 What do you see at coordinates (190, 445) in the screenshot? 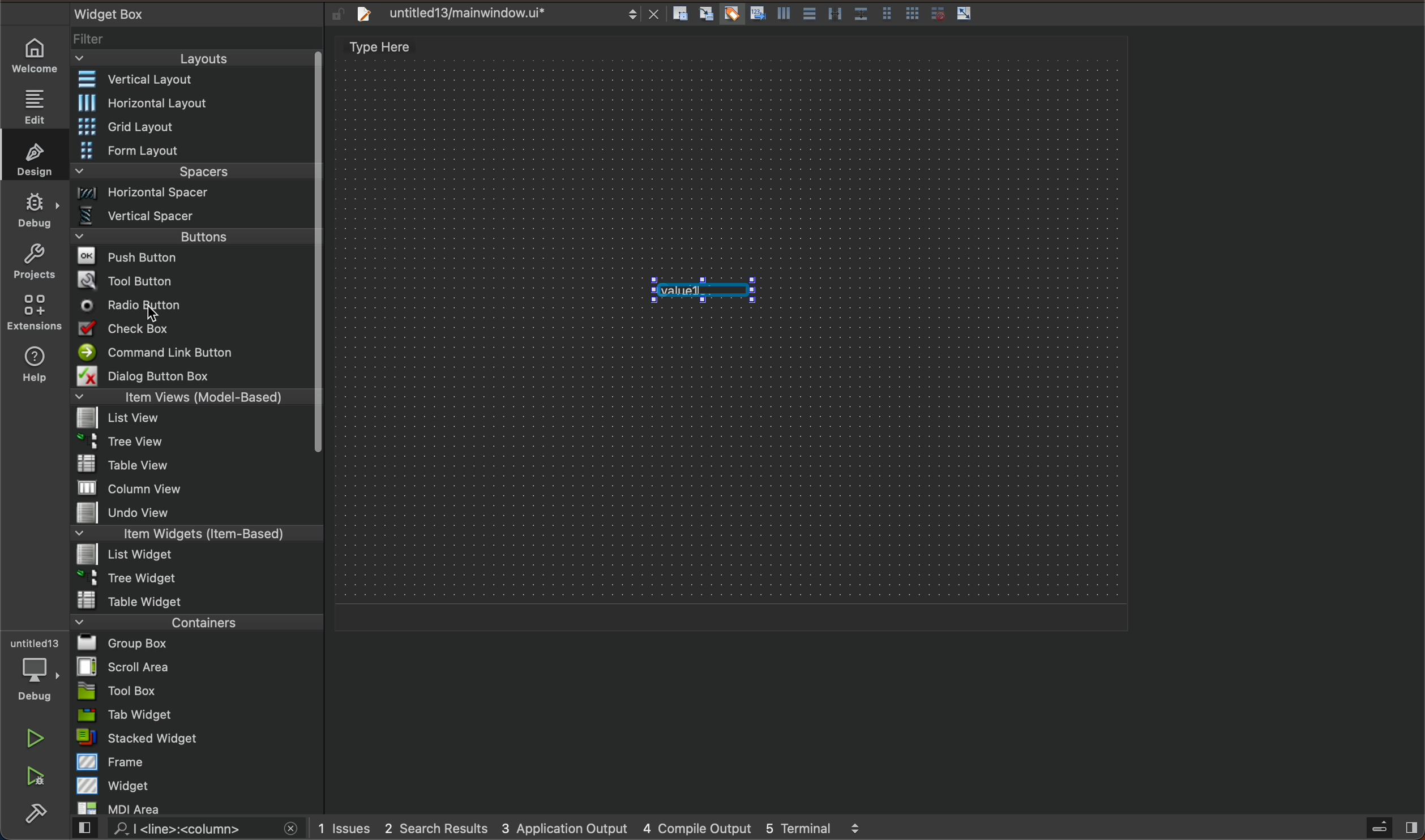
I see `` at bounding box center [190, 445].